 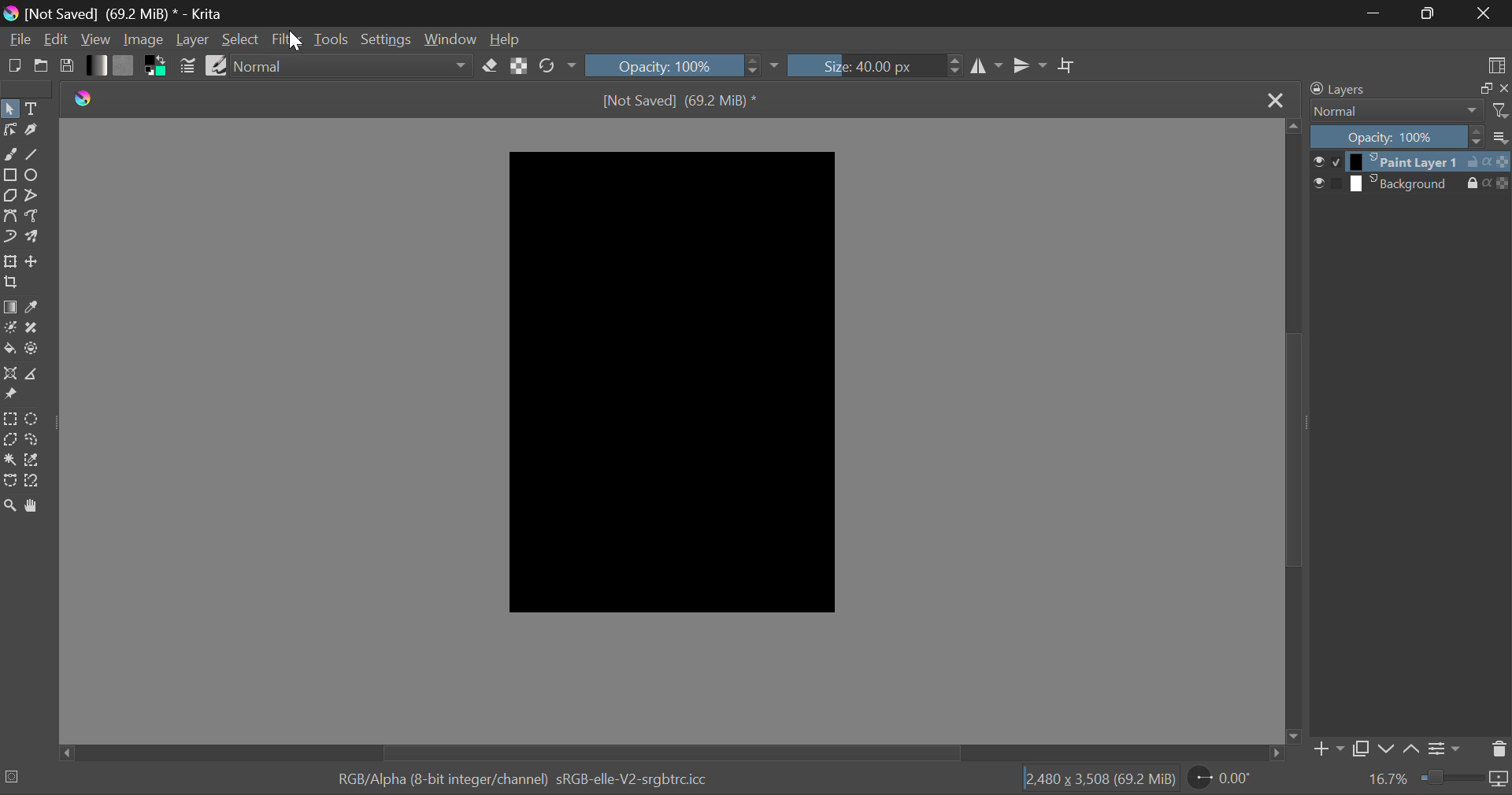 I want to click on Move Layer Up, so click(x=1410, y=747).